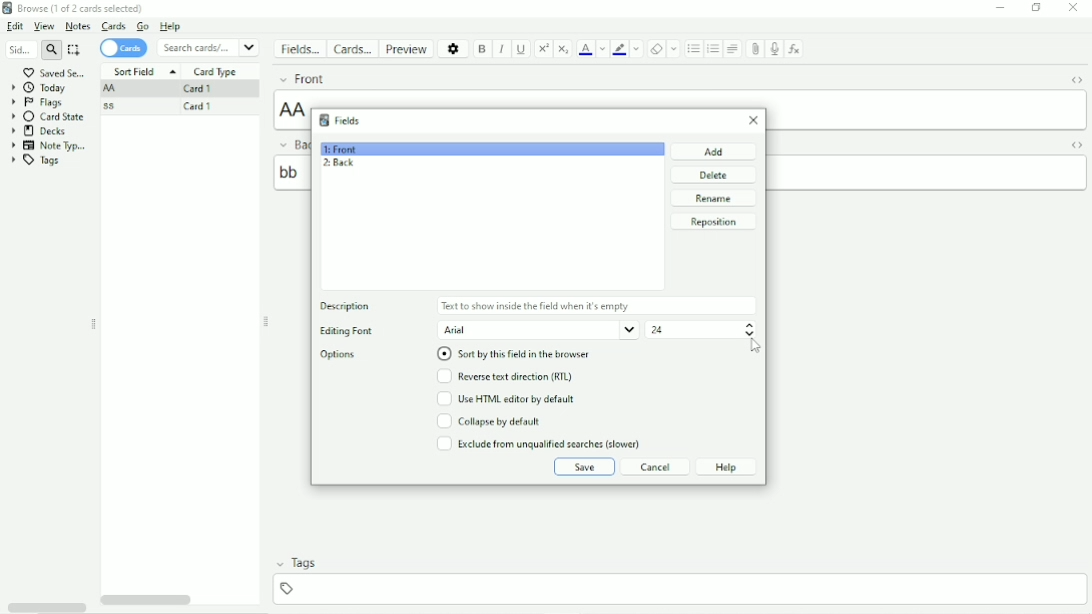 The height and width of the screenshot is (614, 1092). What do you see at coordinates (926, 109) in the screenshot?
I see `AA` at bounding box center [926, 109].